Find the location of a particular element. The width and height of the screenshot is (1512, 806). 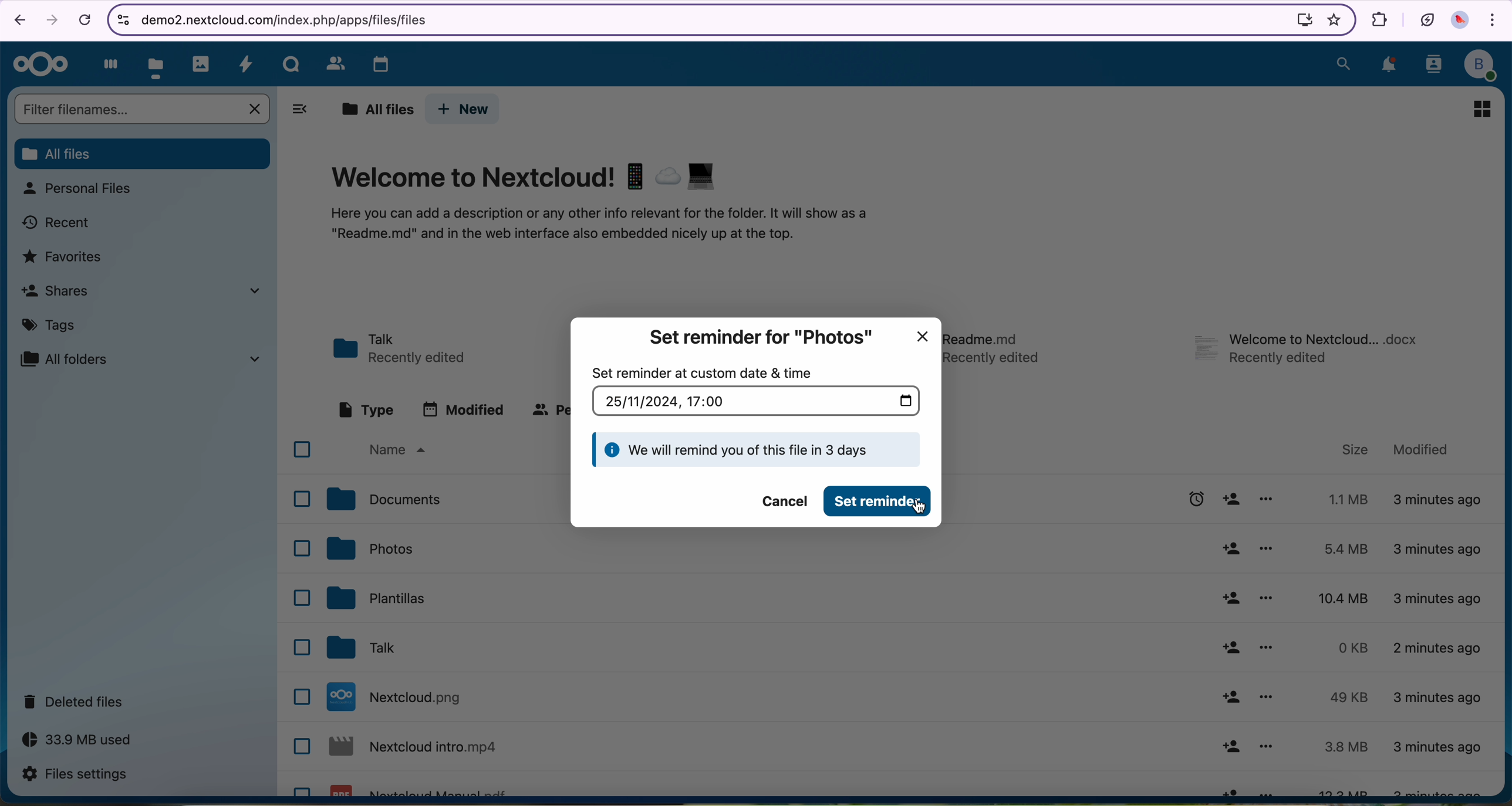

share is located at coordinates (1228, 697).